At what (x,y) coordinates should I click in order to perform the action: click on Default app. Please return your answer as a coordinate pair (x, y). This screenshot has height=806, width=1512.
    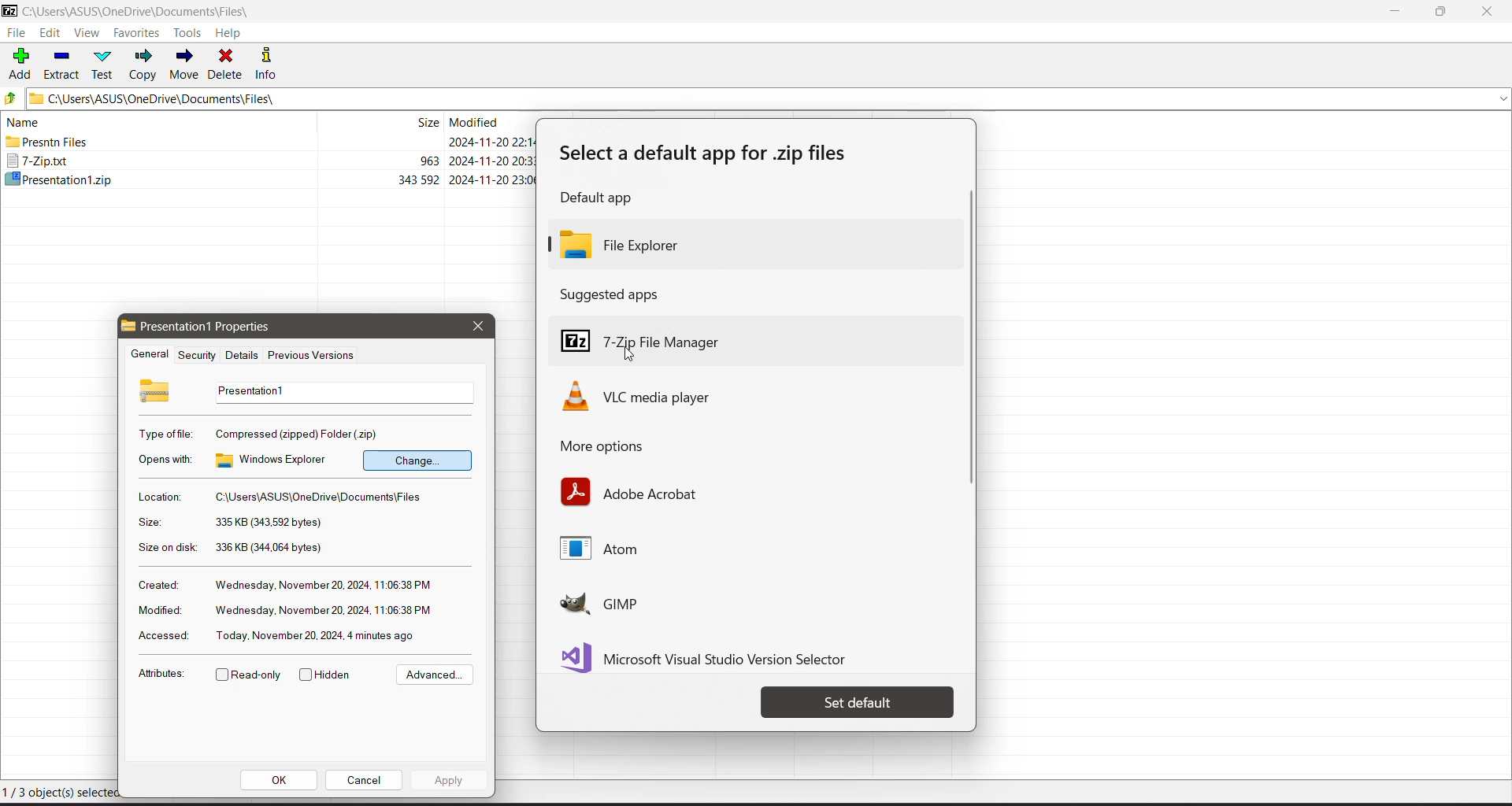
    Looking at the image, I should click on (602, 199).